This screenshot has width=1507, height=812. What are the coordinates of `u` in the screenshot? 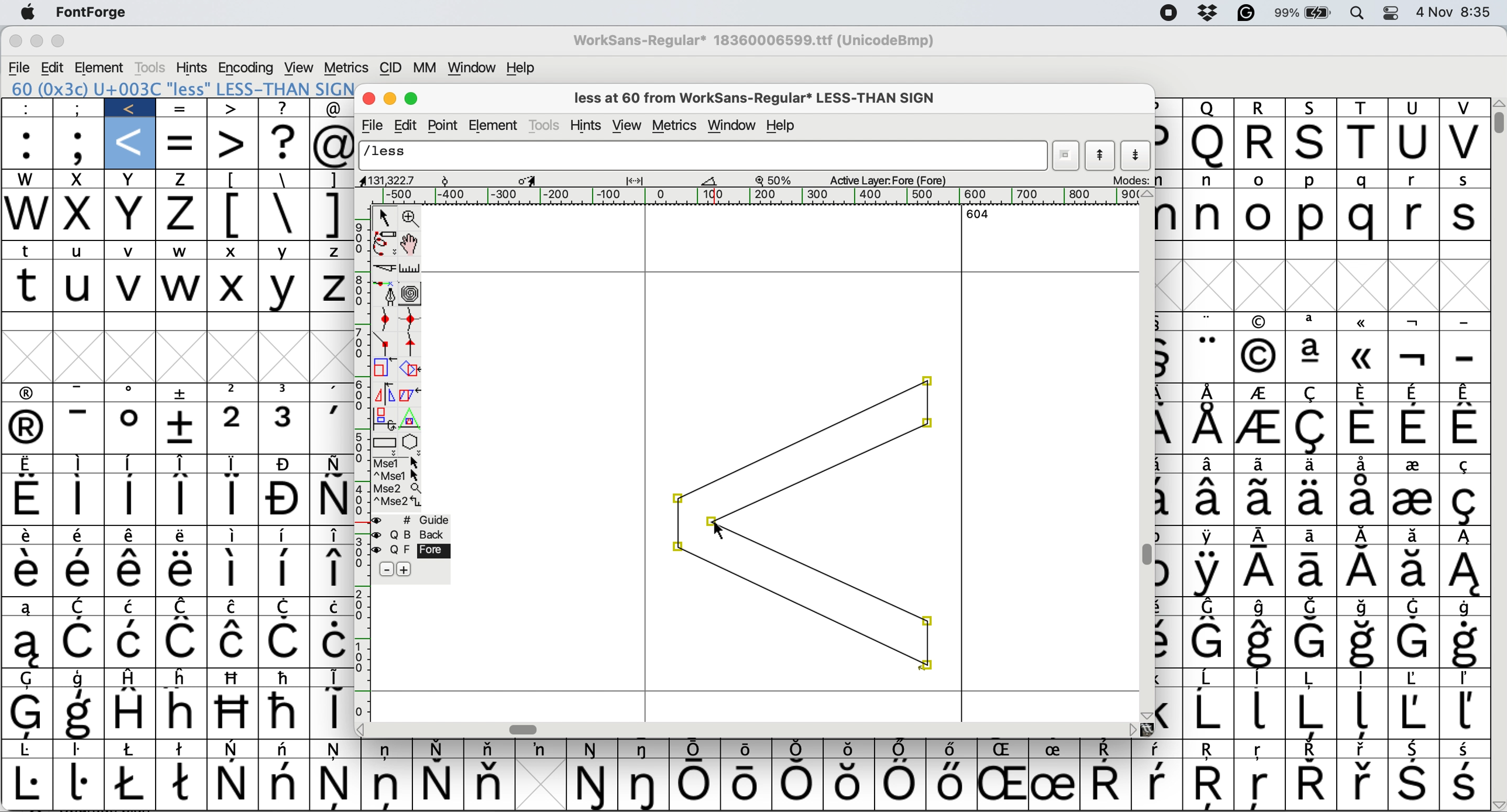 It's located at (80, 287).